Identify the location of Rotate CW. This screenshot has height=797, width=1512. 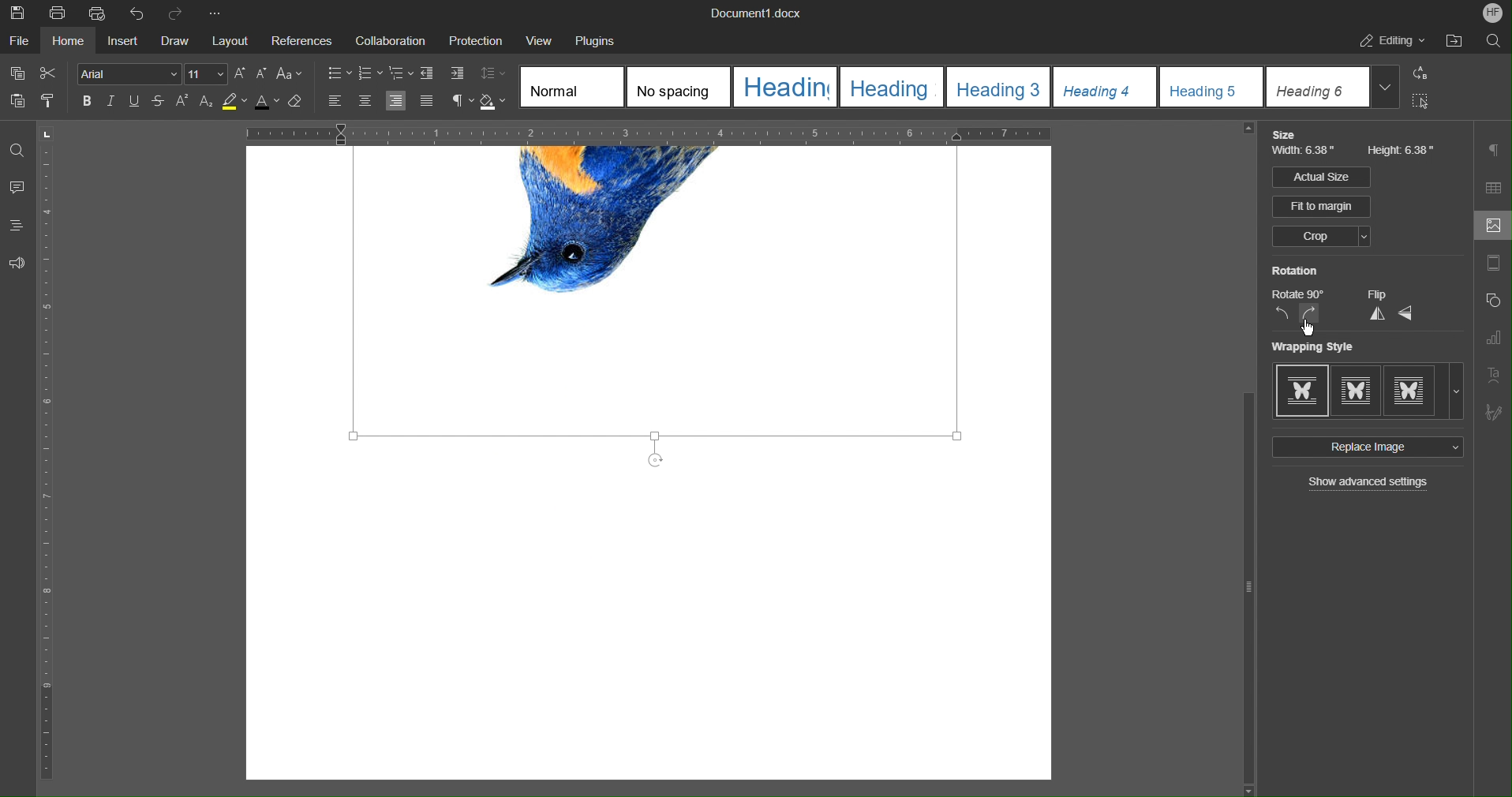
(1312, 313).